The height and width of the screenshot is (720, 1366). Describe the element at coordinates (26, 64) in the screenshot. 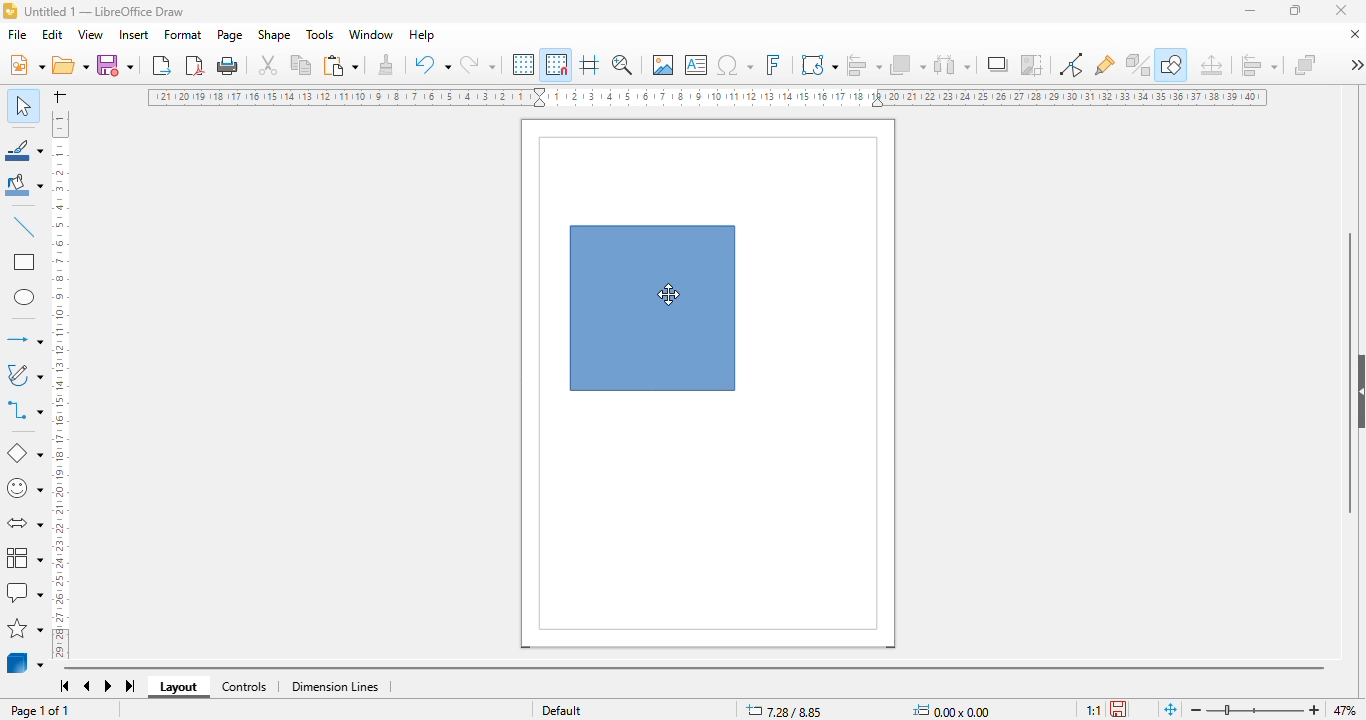

I see `new` at that location.